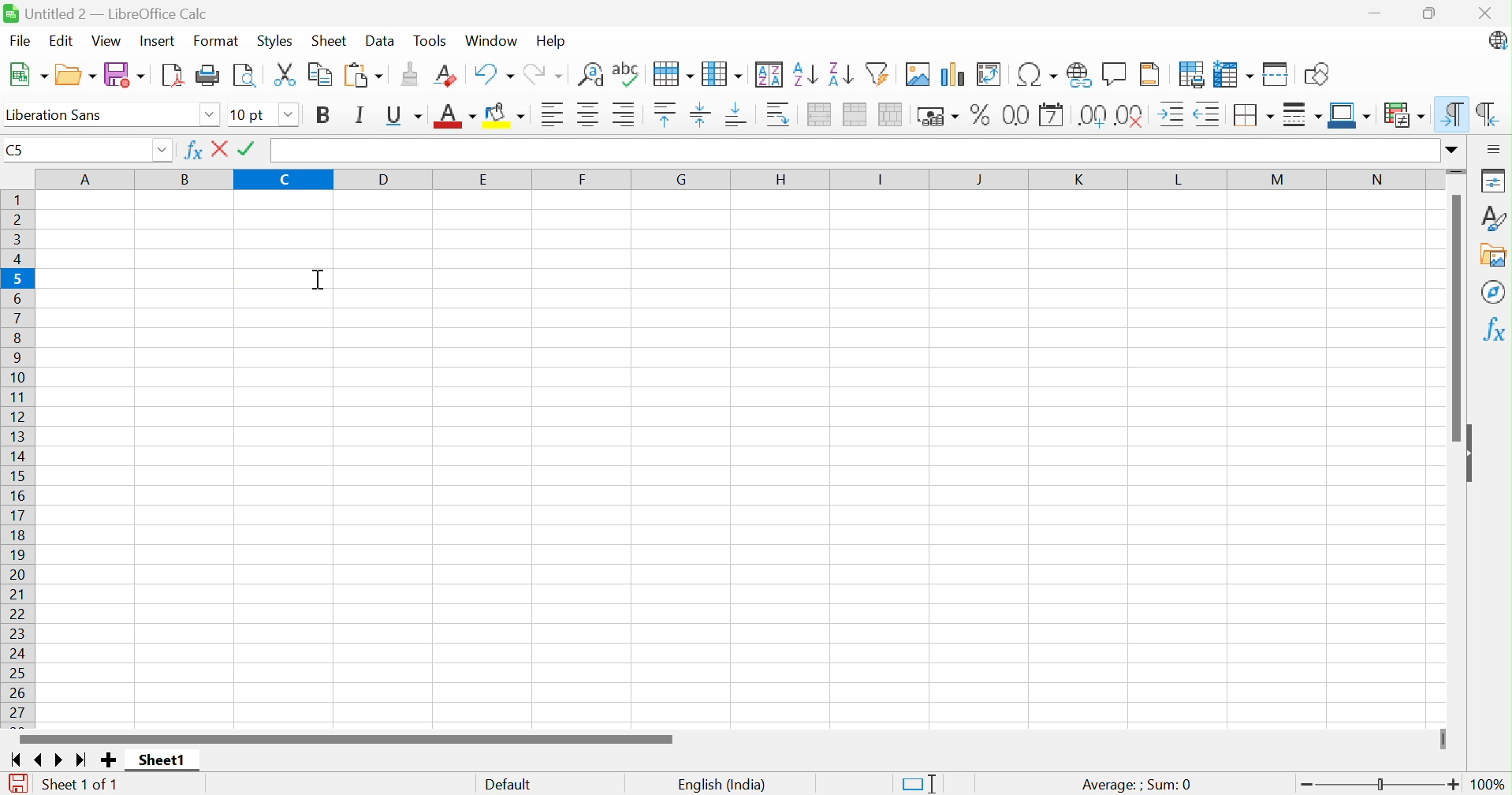 The image size is (1512, 795). Describe the element at coordinates (1494, 292) in the screenshot. I see `Navigator` at that location.